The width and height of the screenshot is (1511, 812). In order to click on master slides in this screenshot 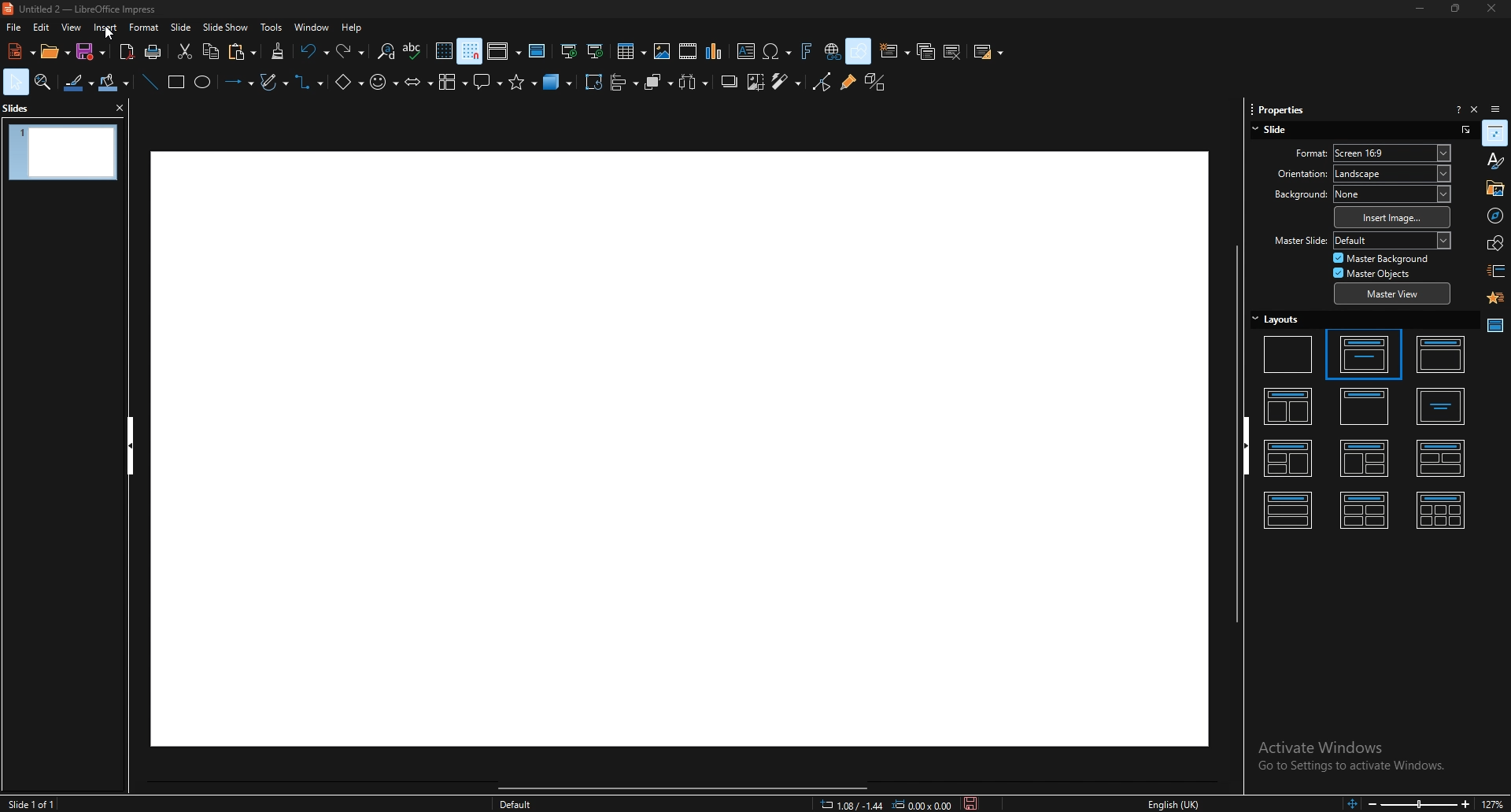, I will do `click(538, 51)`.